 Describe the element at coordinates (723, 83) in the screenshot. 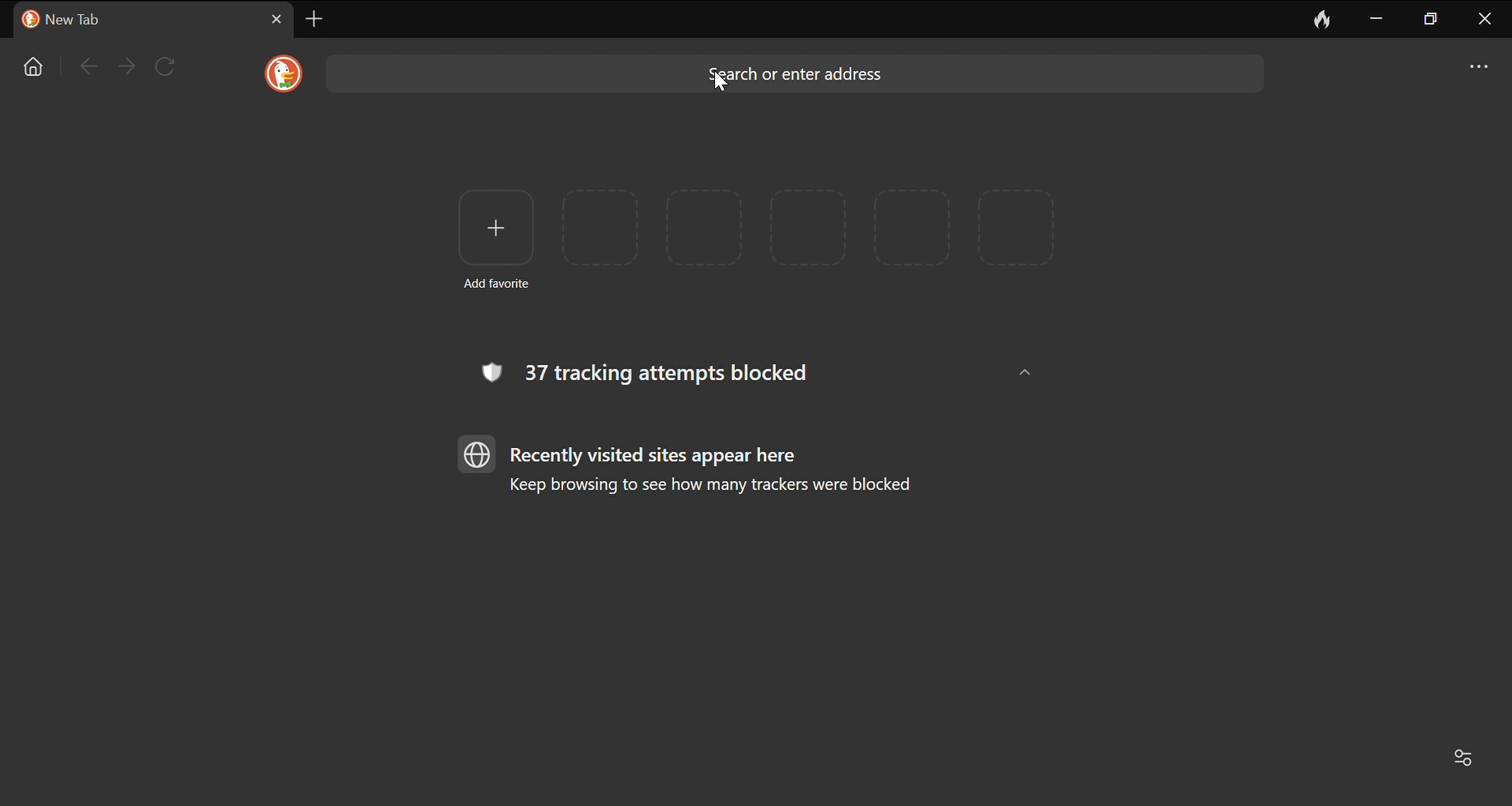

I see `cursor` at that location.